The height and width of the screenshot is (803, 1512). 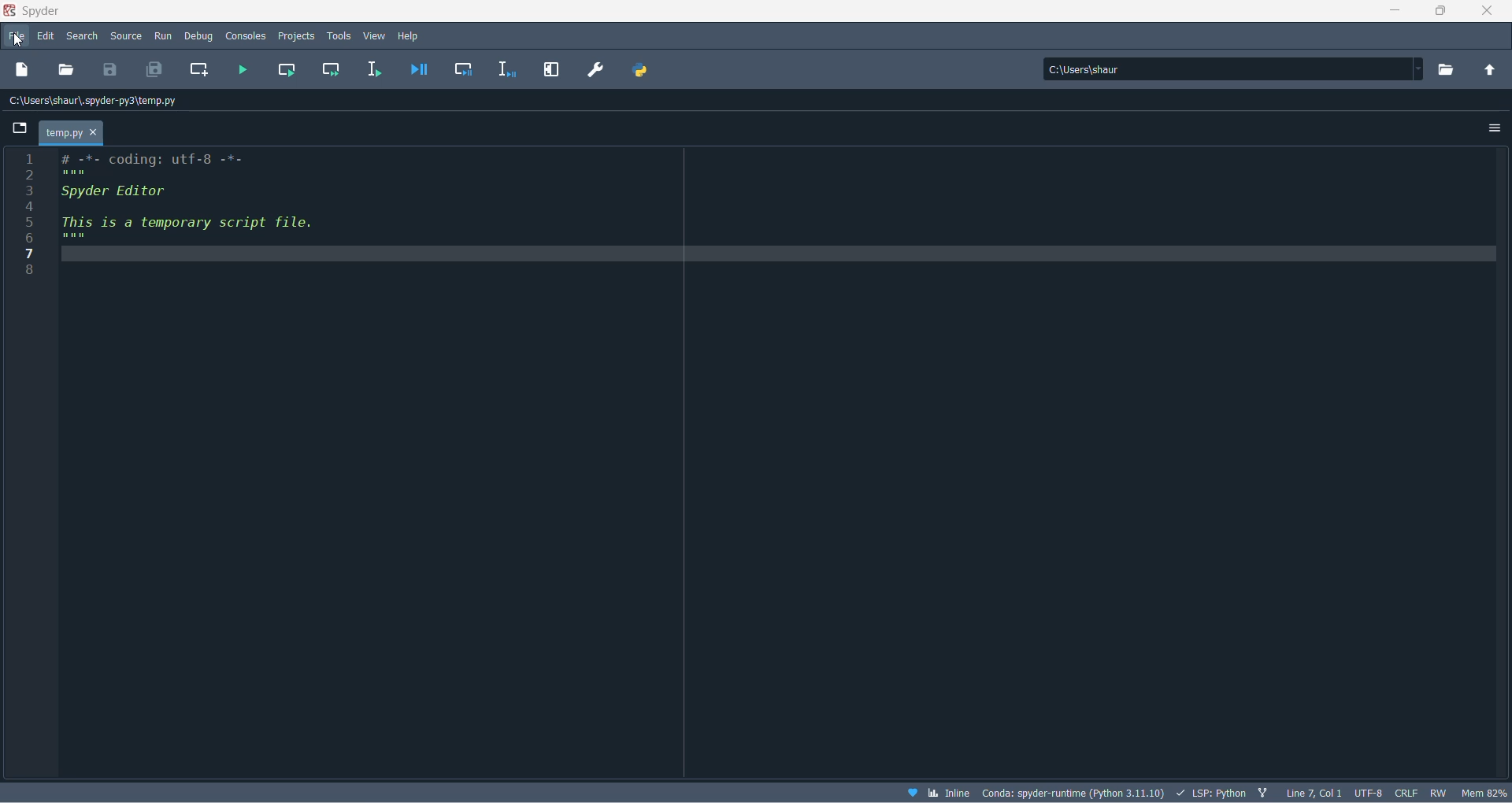 I want to click on close, so click(x=1490, y=12).